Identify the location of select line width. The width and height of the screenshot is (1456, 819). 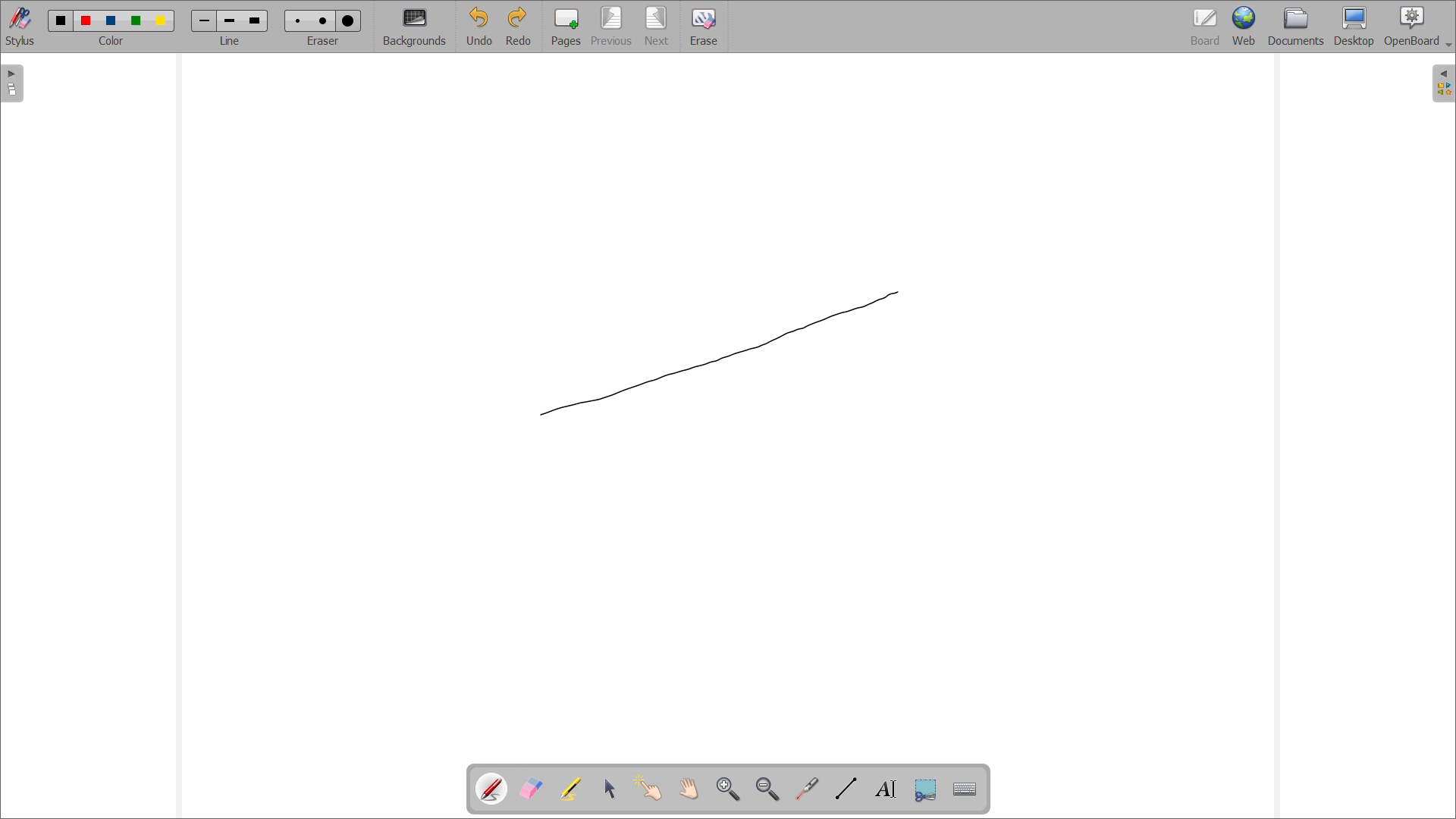
(230, 42).